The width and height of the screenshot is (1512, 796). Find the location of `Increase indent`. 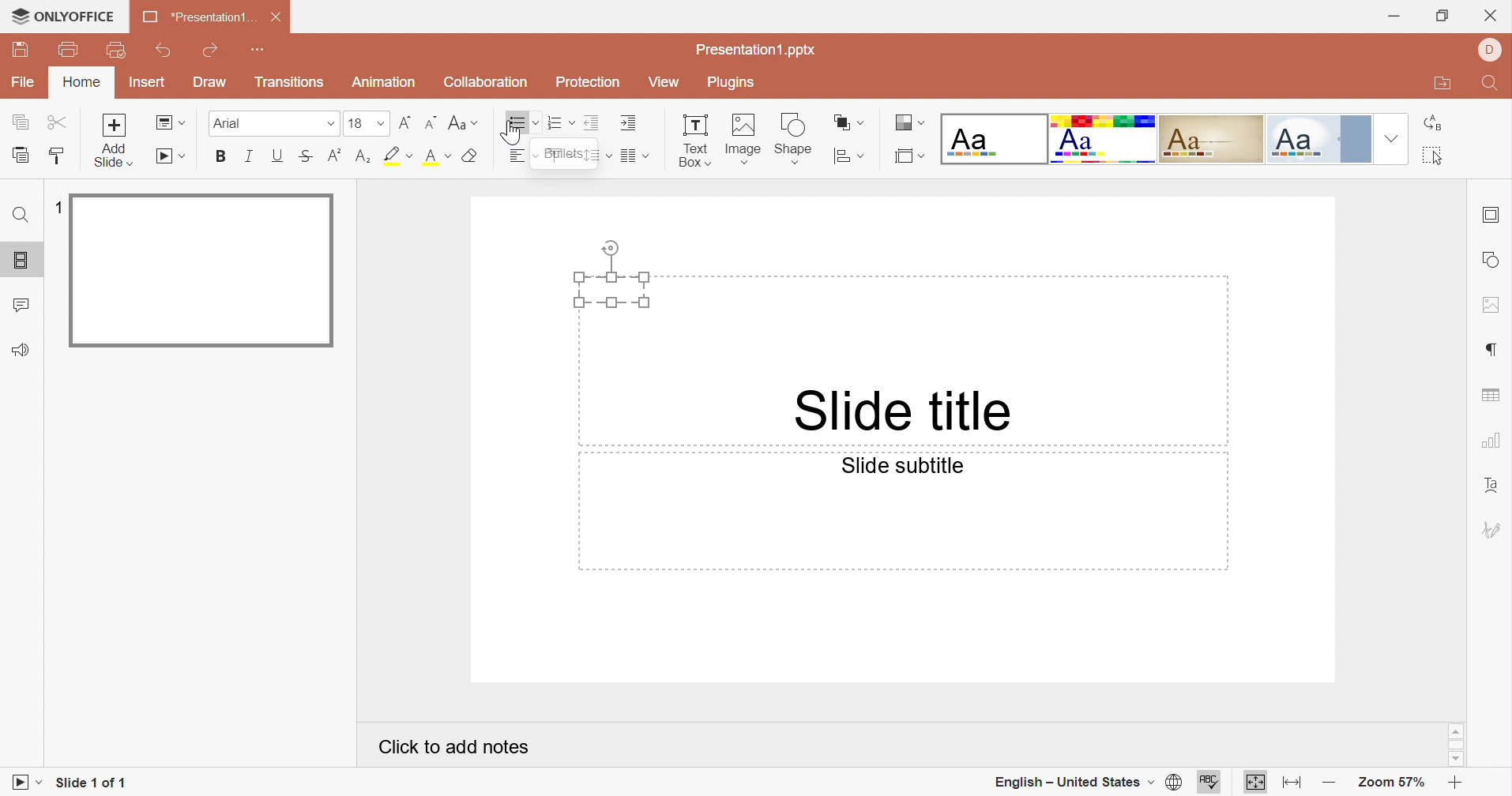

Increase indent is located at coordinates (629, 123).